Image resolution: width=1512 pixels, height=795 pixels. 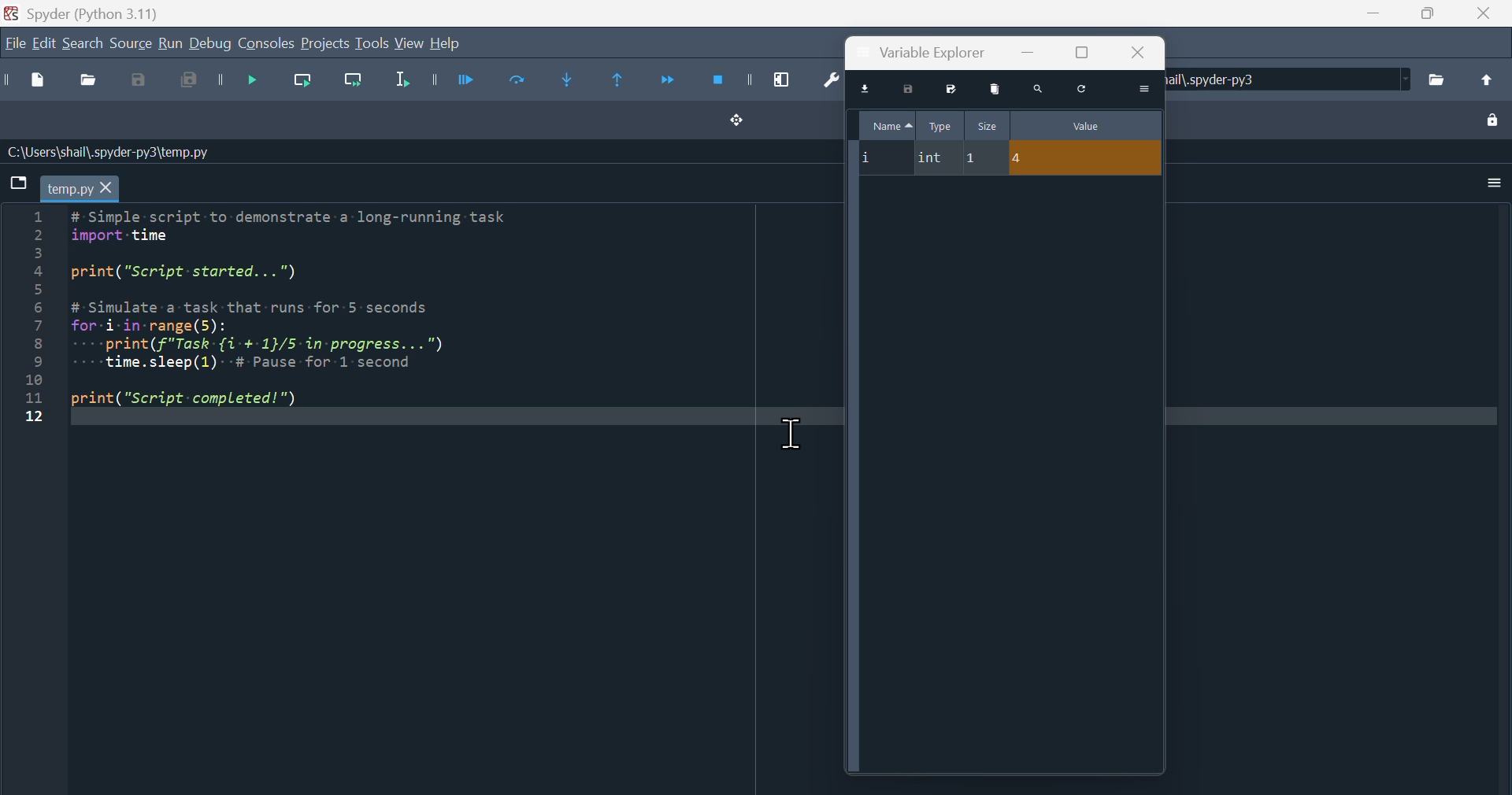 I want to click on refresh variables, so click(x=1082, y=90).